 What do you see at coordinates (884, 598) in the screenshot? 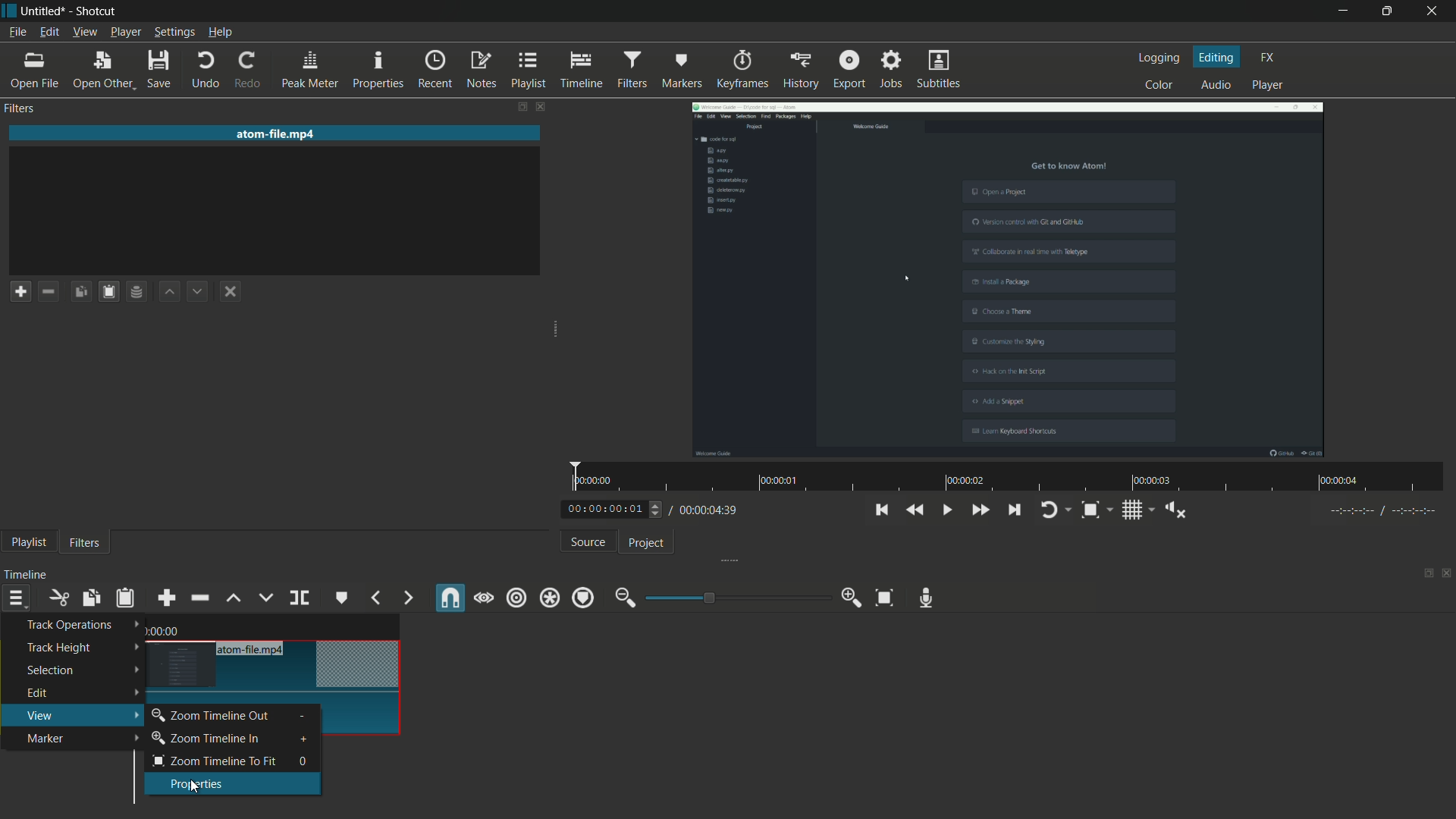
I see `zoom timeline to fit` at bounding box center [884, 598].